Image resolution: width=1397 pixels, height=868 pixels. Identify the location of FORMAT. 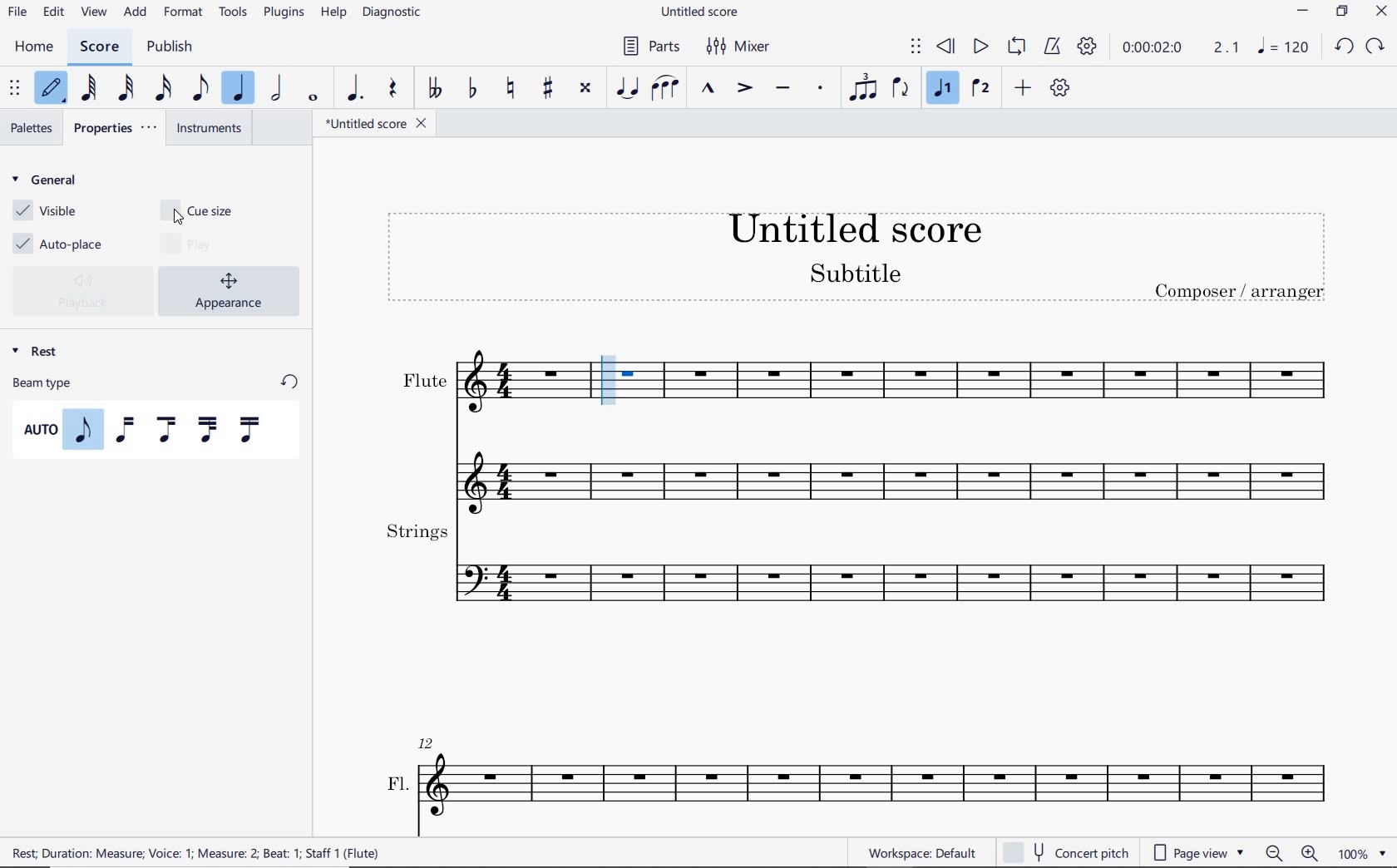
(185, 11).